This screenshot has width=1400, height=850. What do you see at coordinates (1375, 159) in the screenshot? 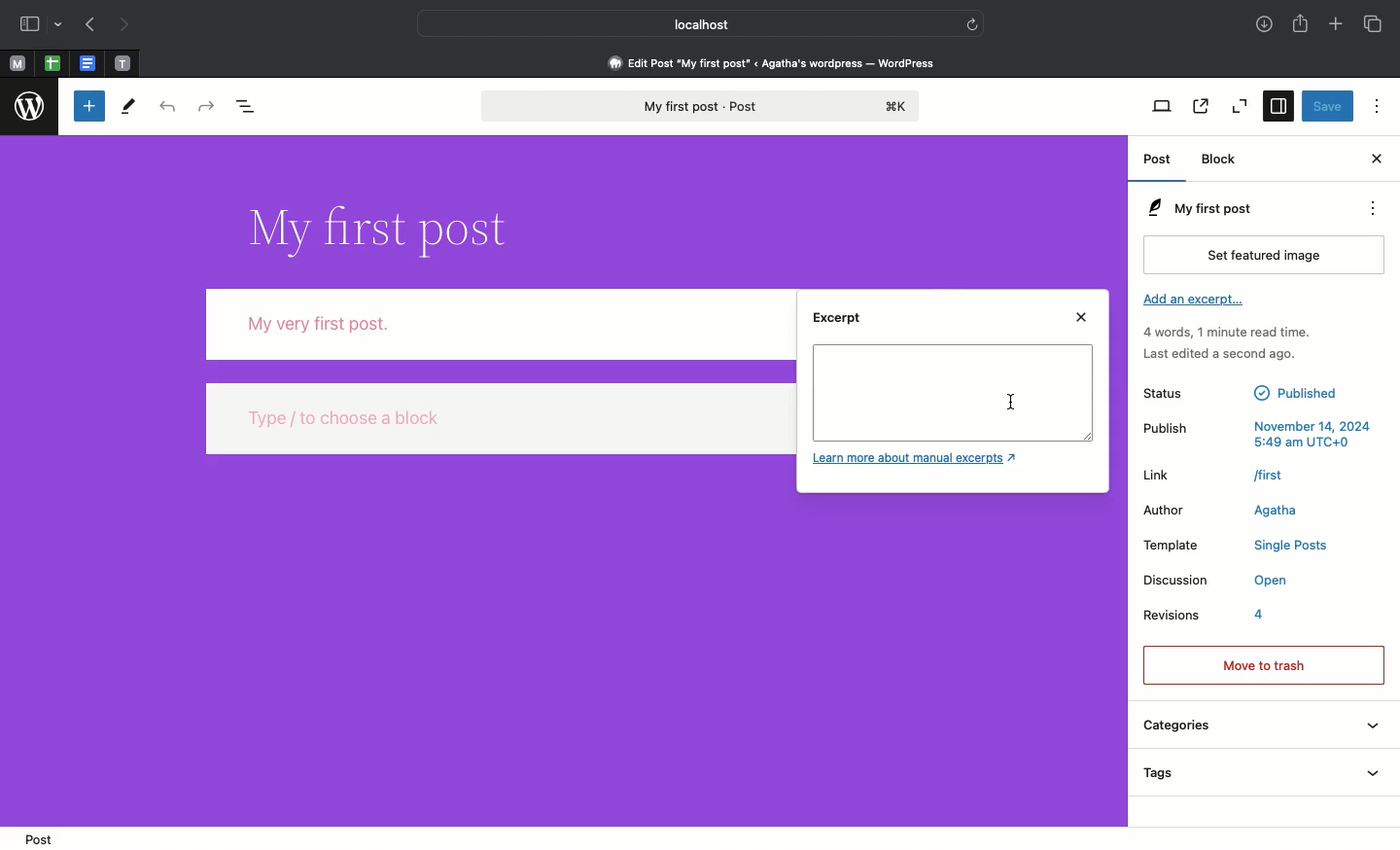
I see `Close` at bounding box center [1375, 159].